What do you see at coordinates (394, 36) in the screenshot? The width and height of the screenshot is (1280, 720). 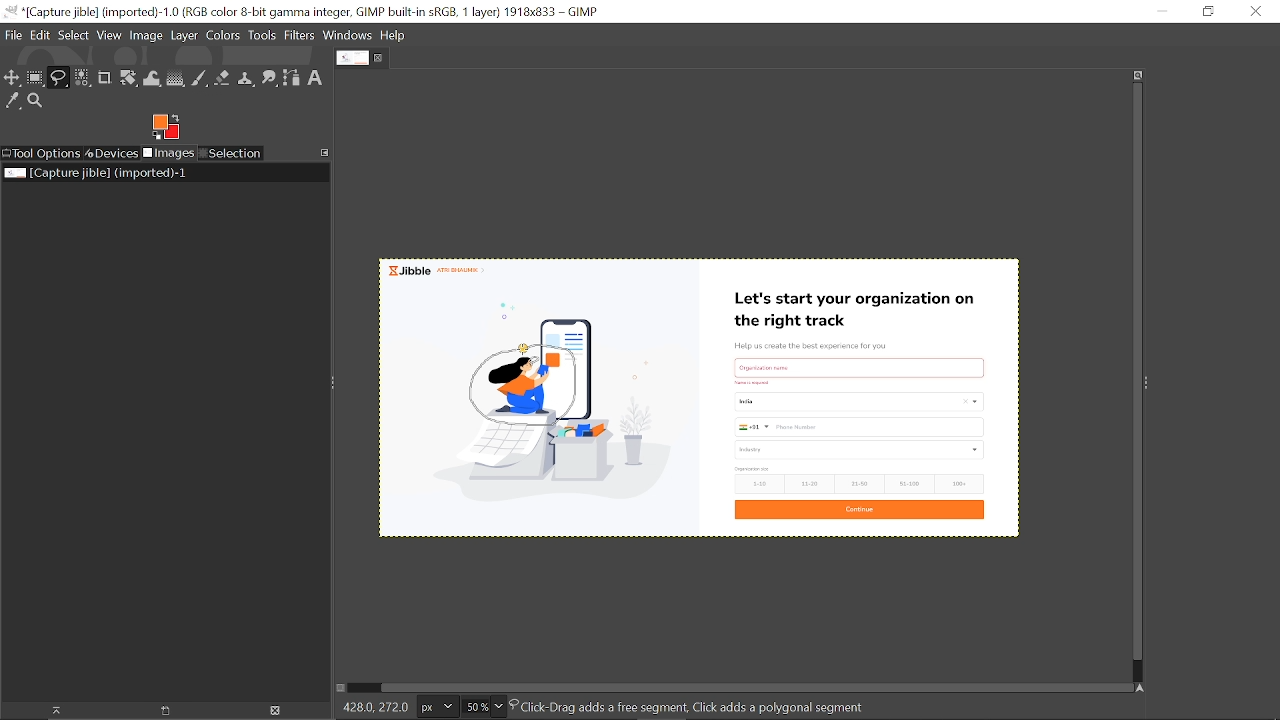 I see `Help` at bounding box center [394, 36].